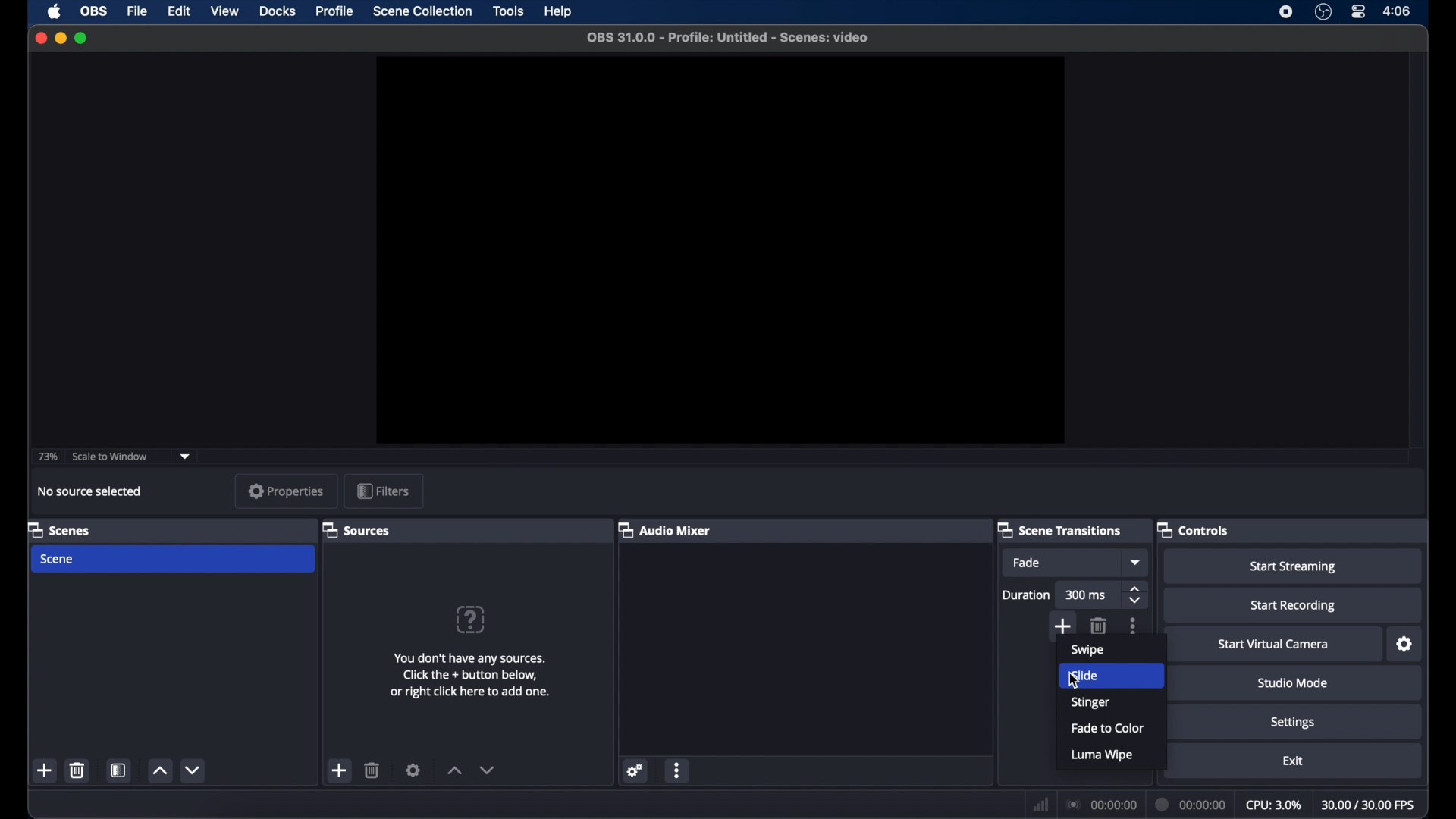 Image resolution: width=1456 pixels, height=819 pixels. What do you see at coordinates (60, 38) in the screenshot?
I see `minimize` at bounding box center [60, 38].